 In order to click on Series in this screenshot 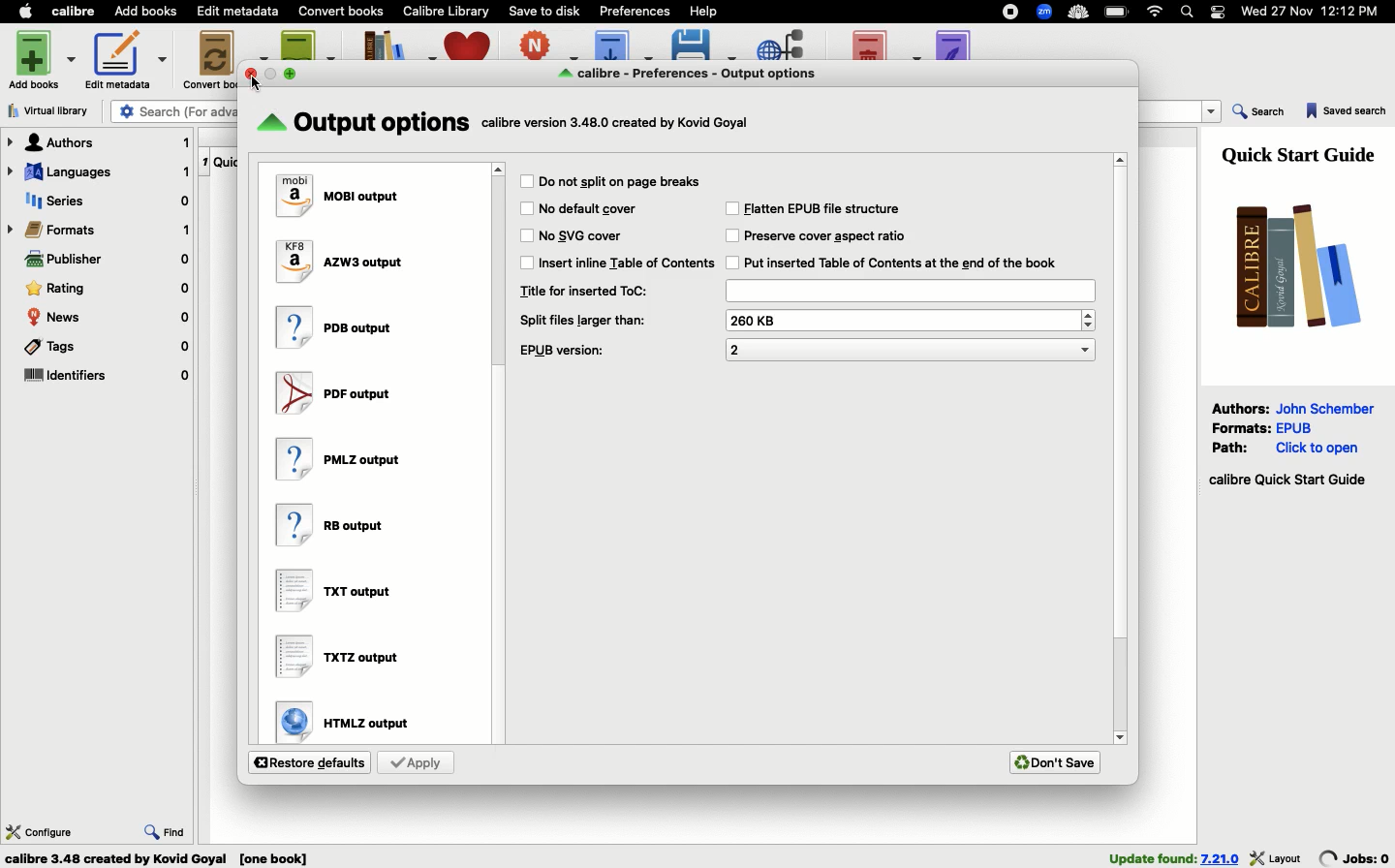, I will do `click(104, 202)`.